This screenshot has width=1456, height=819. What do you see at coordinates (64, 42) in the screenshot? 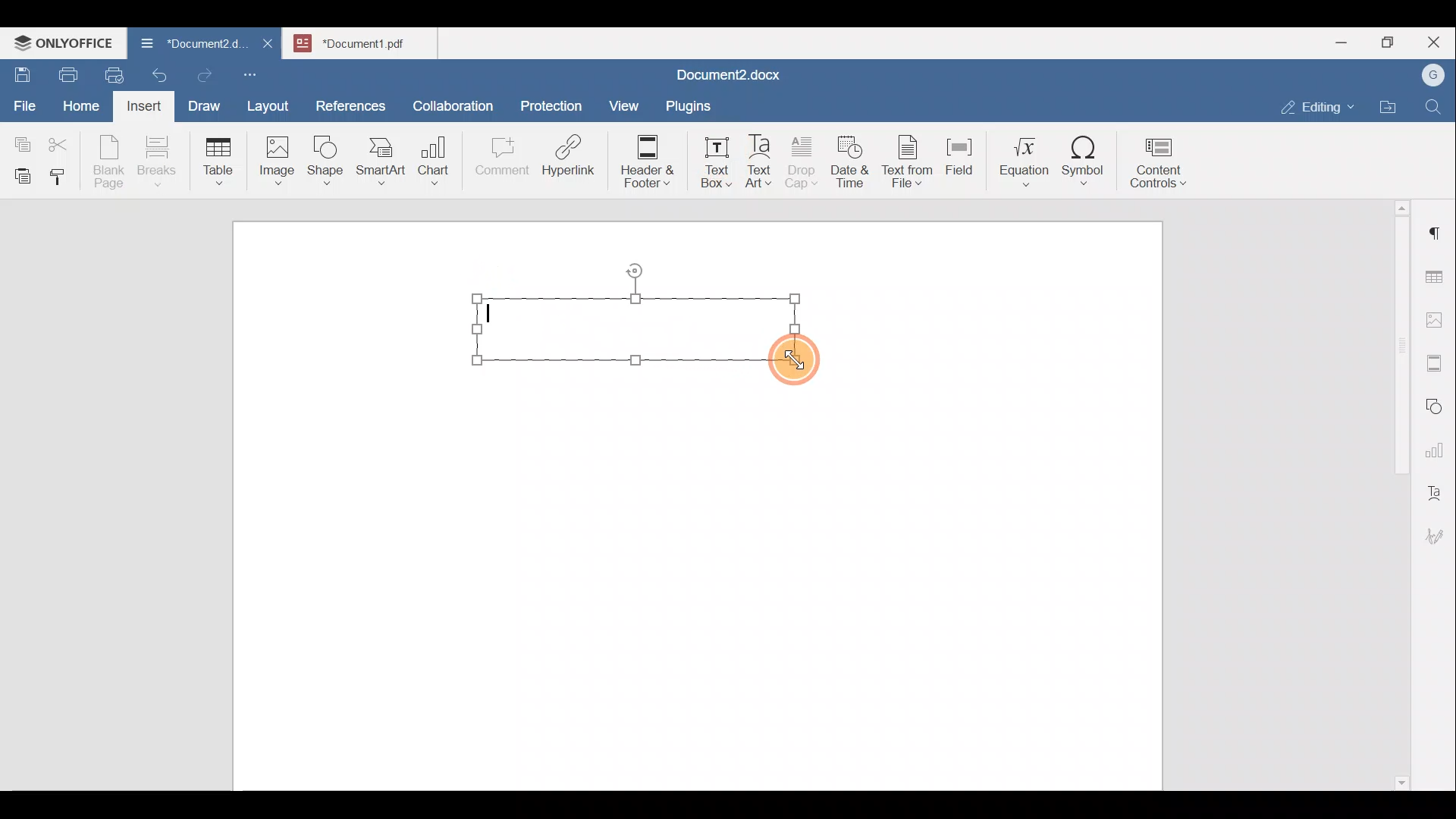
I see `ONLYOFFICE` at bounding box center [64, 42].